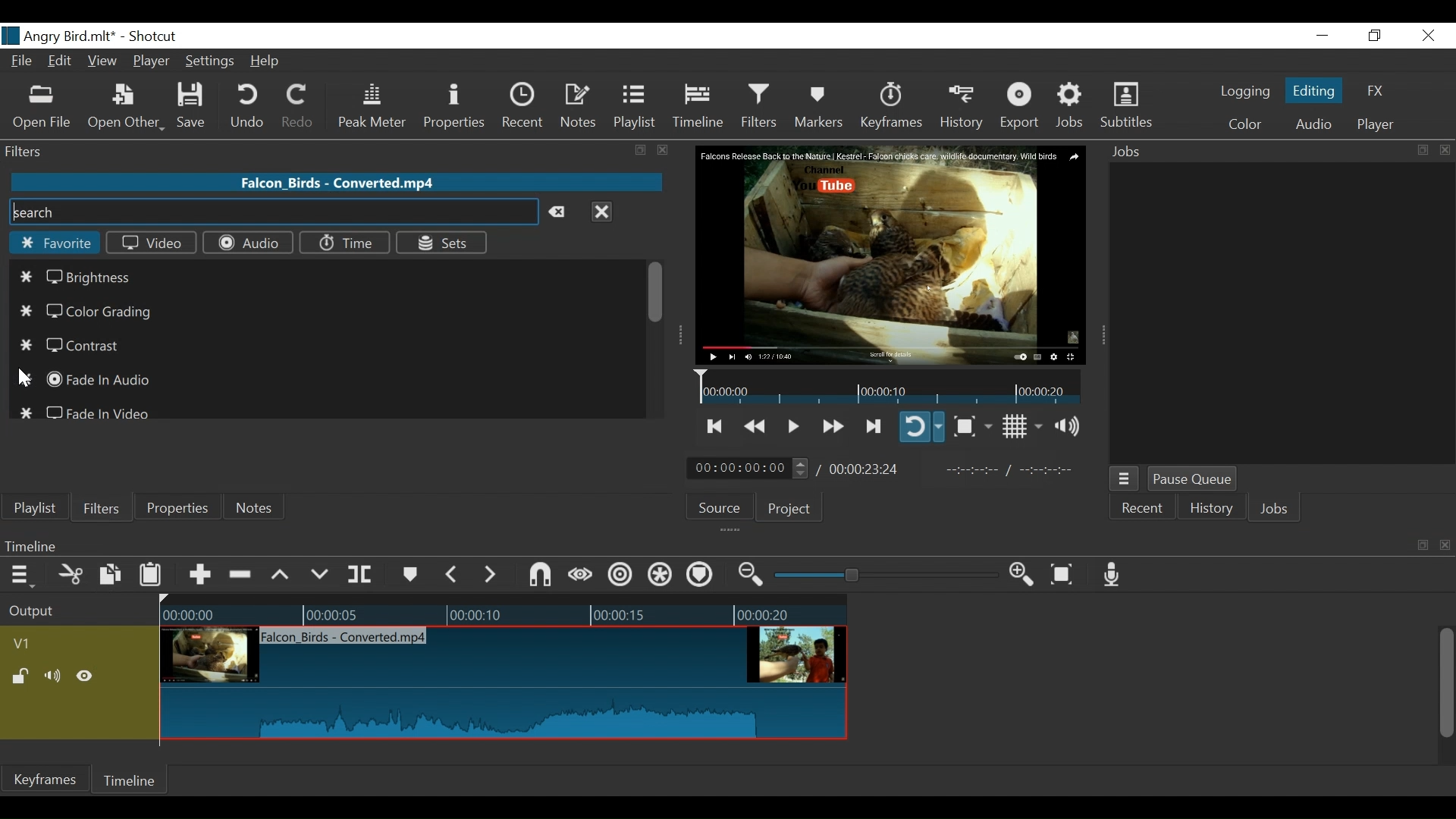  What do you see at coordinates (642, 151) in the screenshot?
I see `copy` at bounding box center [642, 151].